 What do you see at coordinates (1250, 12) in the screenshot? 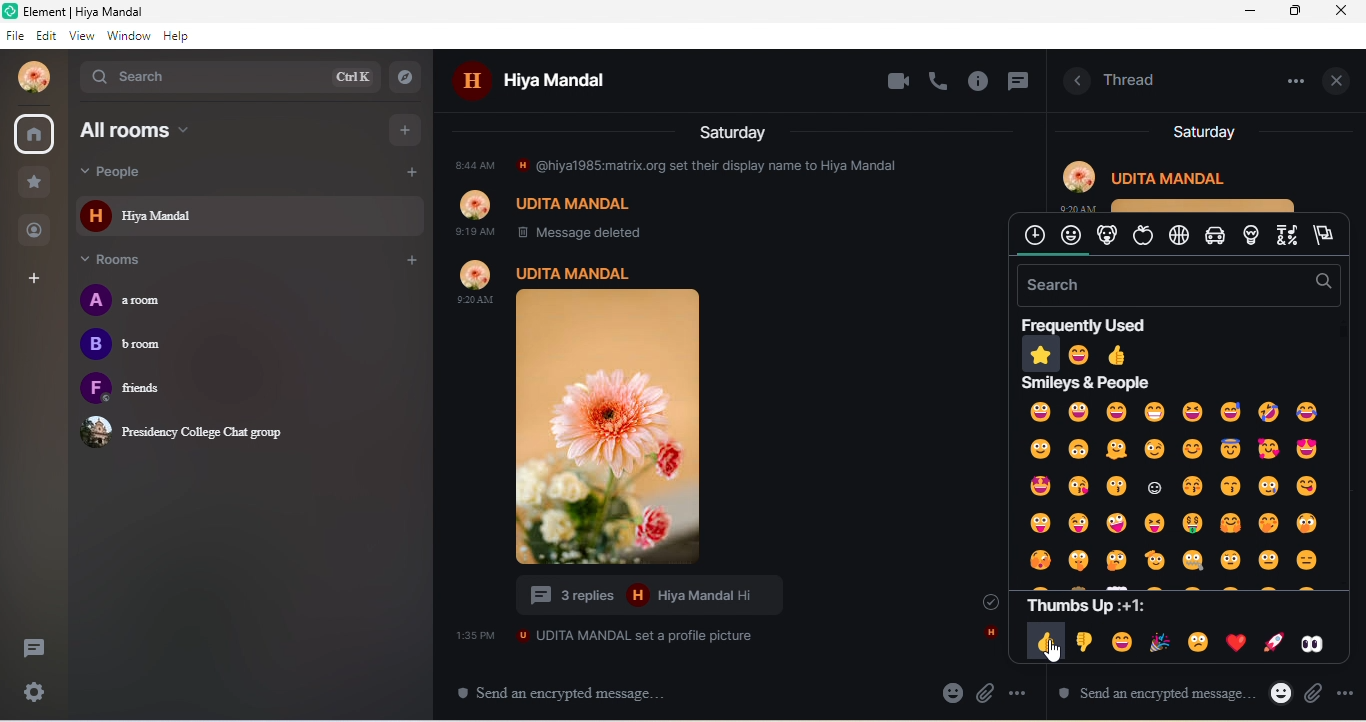
I see `minimize` at bounding box center [1250, 12].